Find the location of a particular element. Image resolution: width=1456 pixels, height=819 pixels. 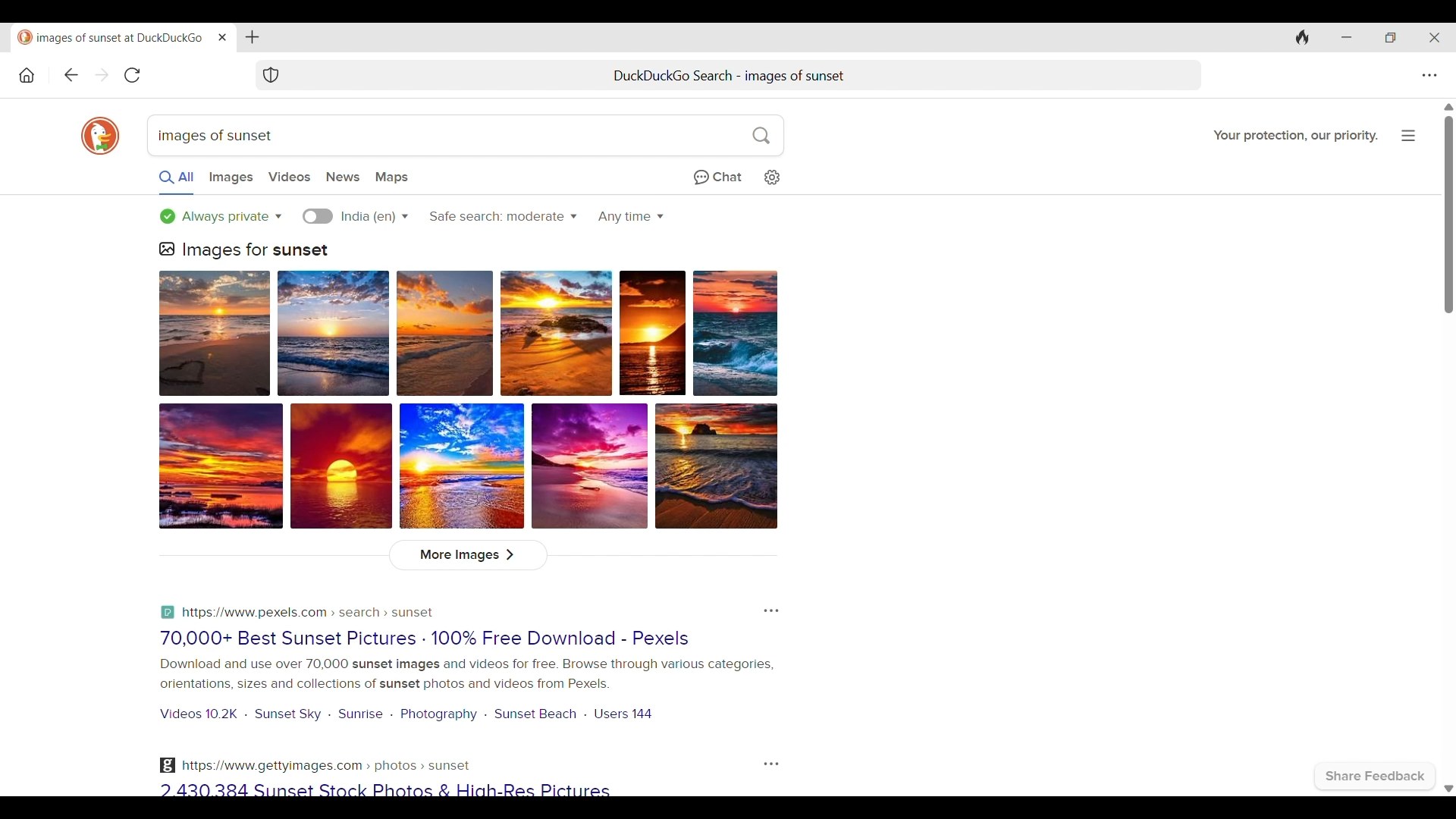

Sunset sky is located at coordinates (288, 714).